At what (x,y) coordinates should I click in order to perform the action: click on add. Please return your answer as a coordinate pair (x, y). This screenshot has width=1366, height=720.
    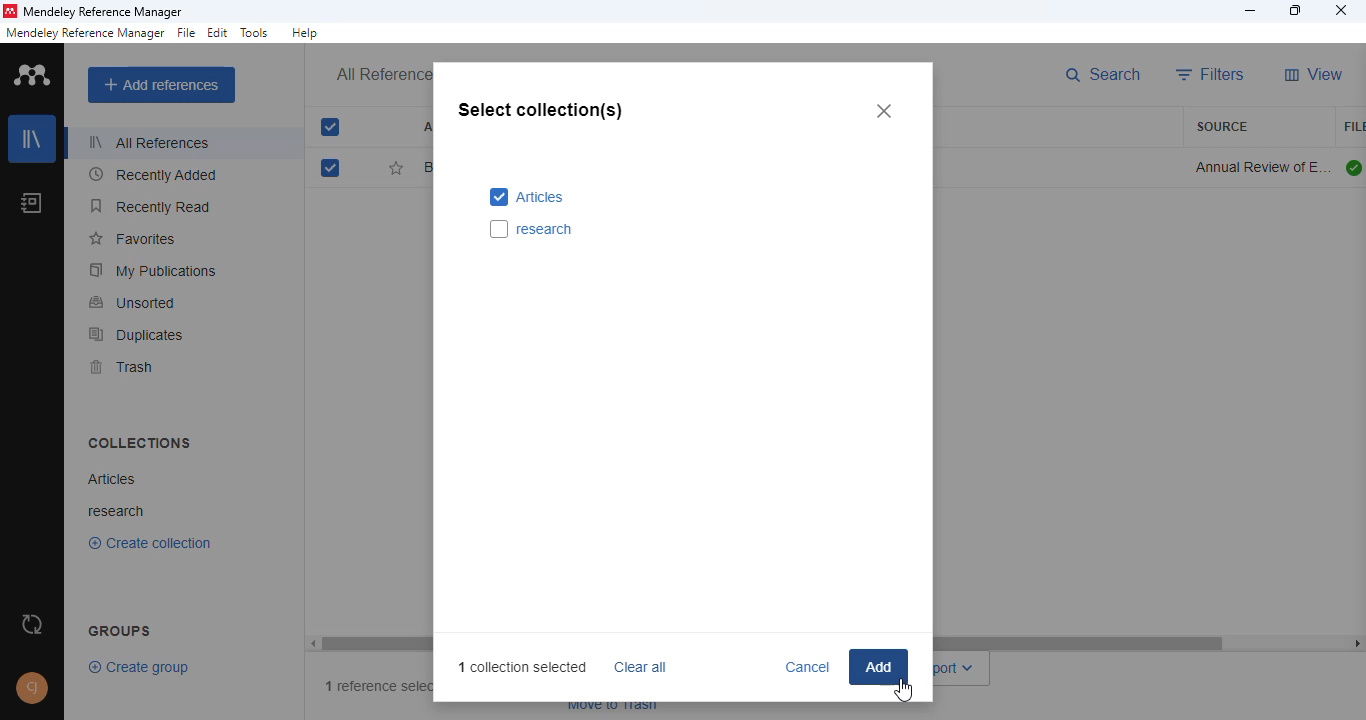
    Looking at the image, I should click on (904, 691).